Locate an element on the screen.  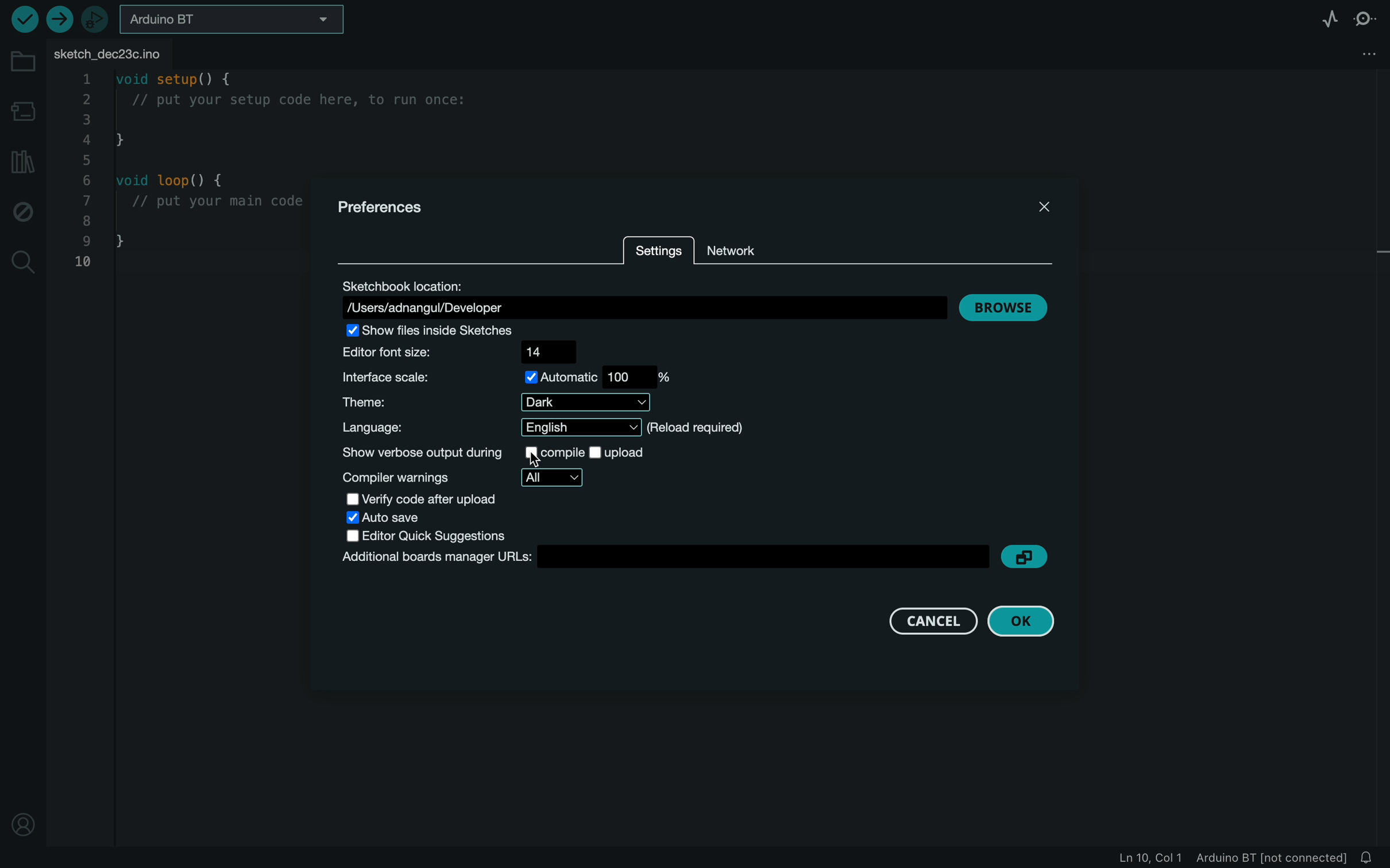
theme is located at coordinates (498, 404).